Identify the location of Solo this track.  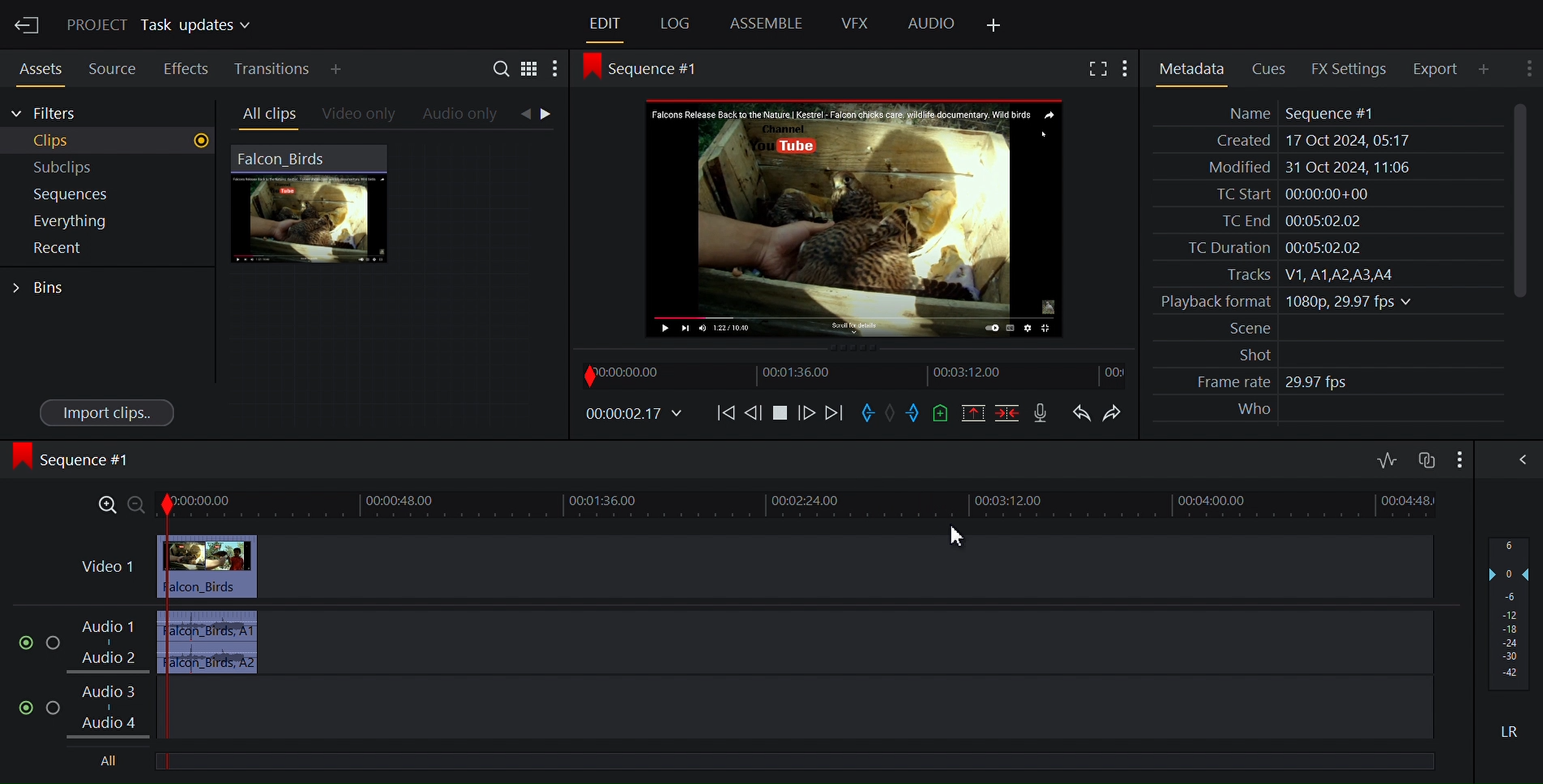
(53, 638).